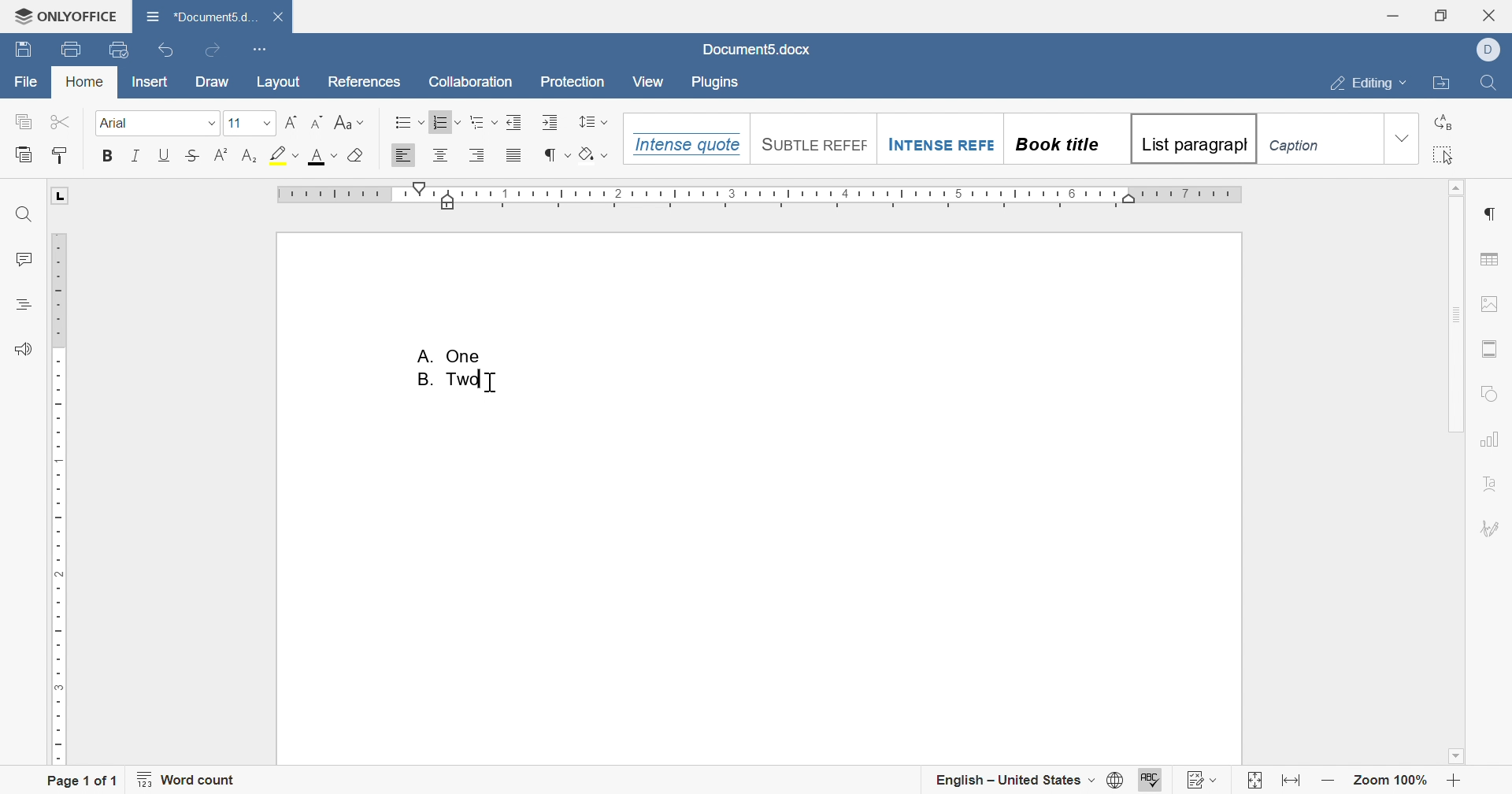 The width and height of the screenshot is (1512, 794). What do you see at coordinates (1489, 350) in the screenshot?
I see `header & footer settings` at bounding box center [1489, 350].